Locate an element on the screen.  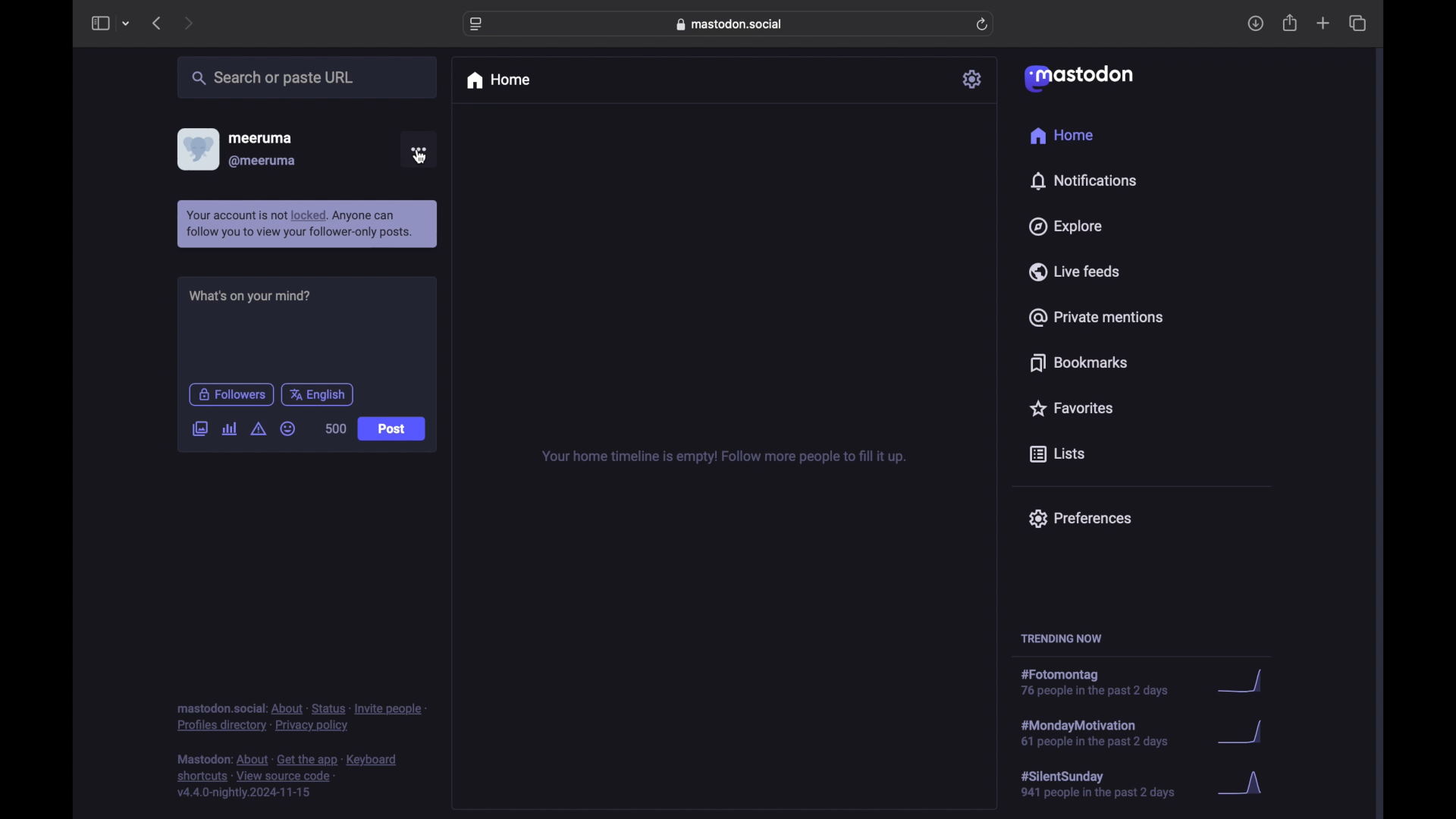
hashtag trend is located at coordinates (1145, 682).